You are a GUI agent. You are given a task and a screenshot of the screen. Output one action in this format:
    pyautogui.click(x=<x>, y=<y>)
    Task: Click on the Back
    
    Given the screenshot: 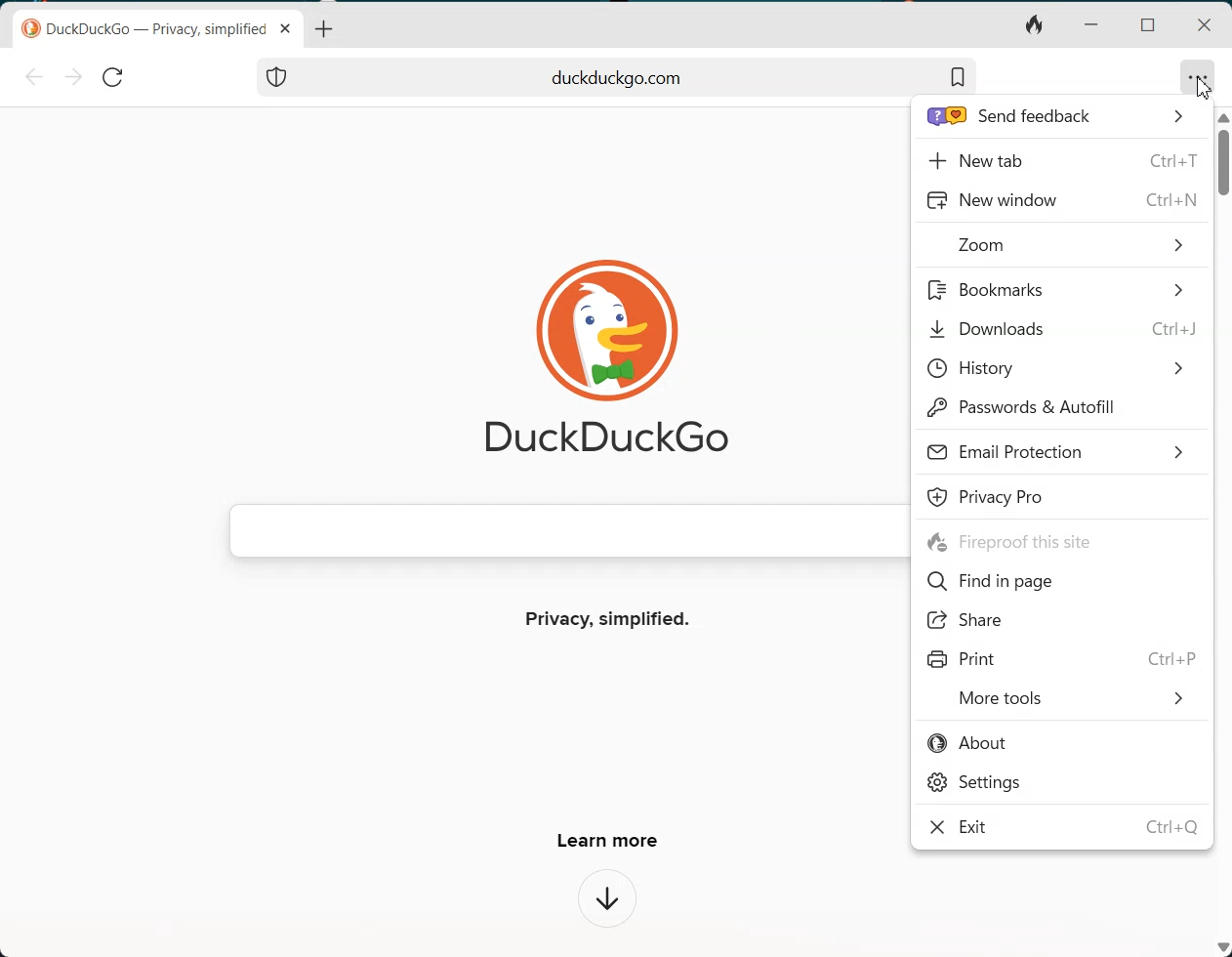 What is the action you would take?
    pyautogui.click(x=34, y=77)
    